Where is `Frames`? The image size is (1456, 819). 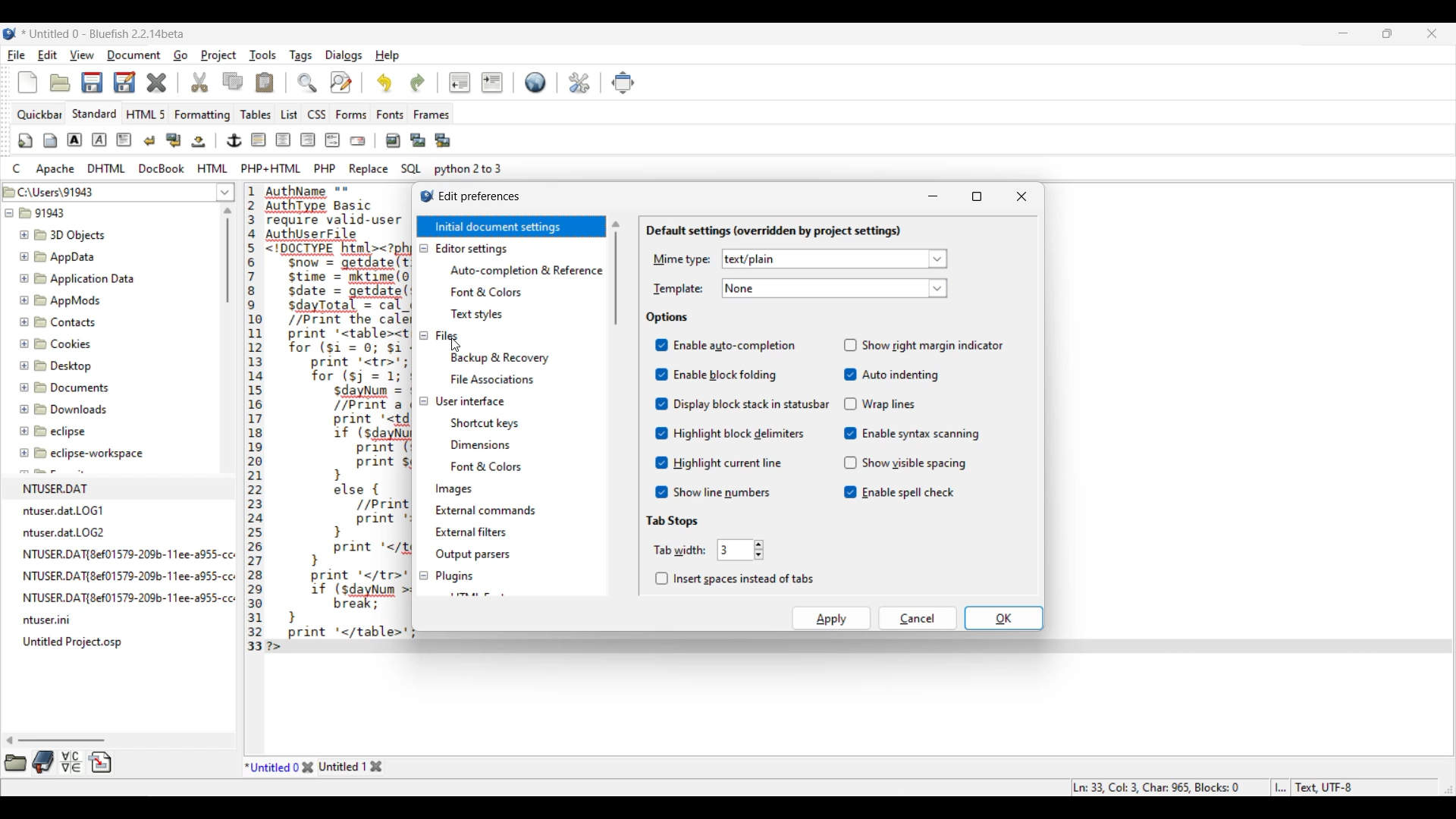
Frames is located at coordinates (432, 115).